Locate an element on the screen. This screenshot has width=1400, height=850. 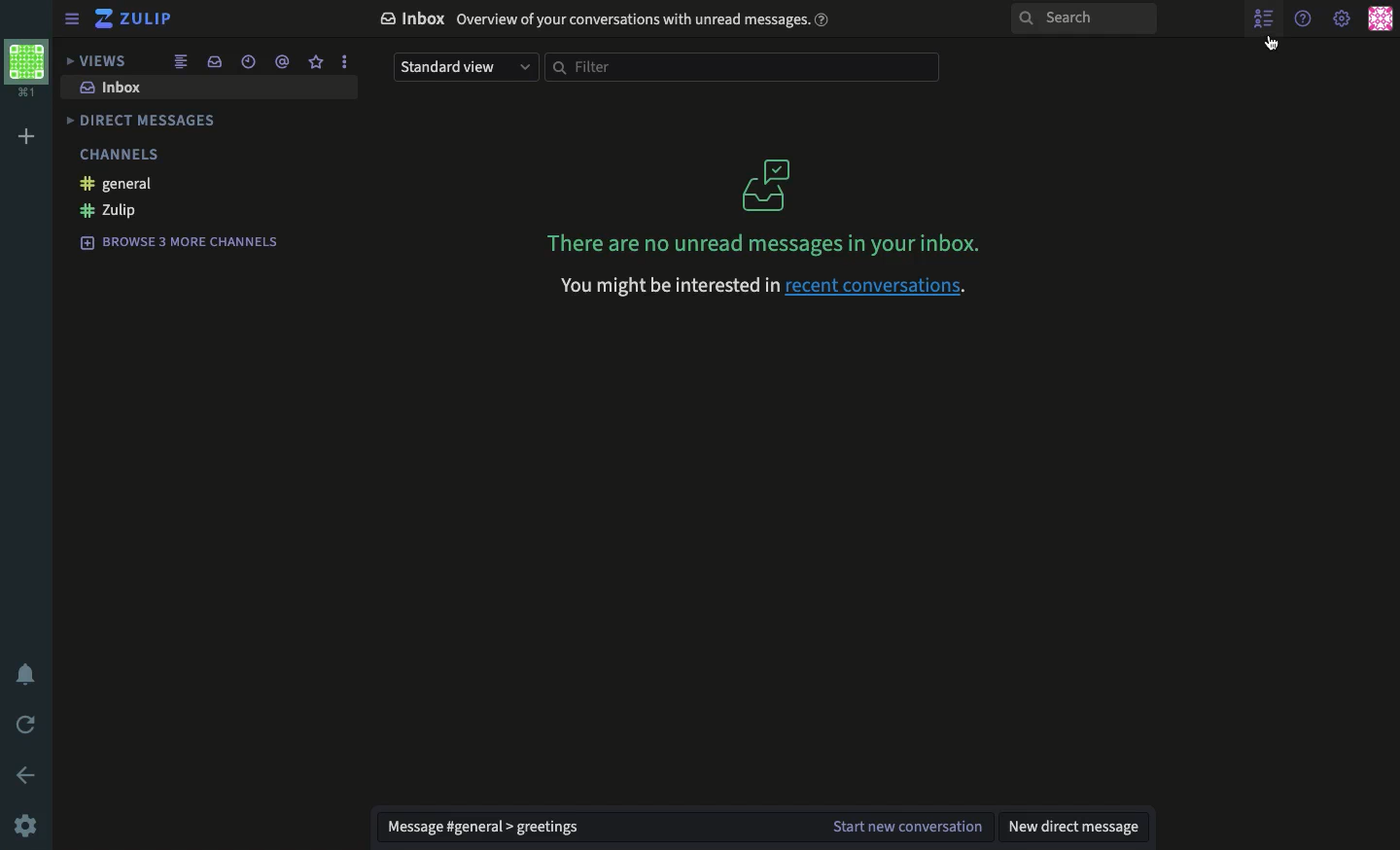
inbox  is located at coordinates (108, 89).